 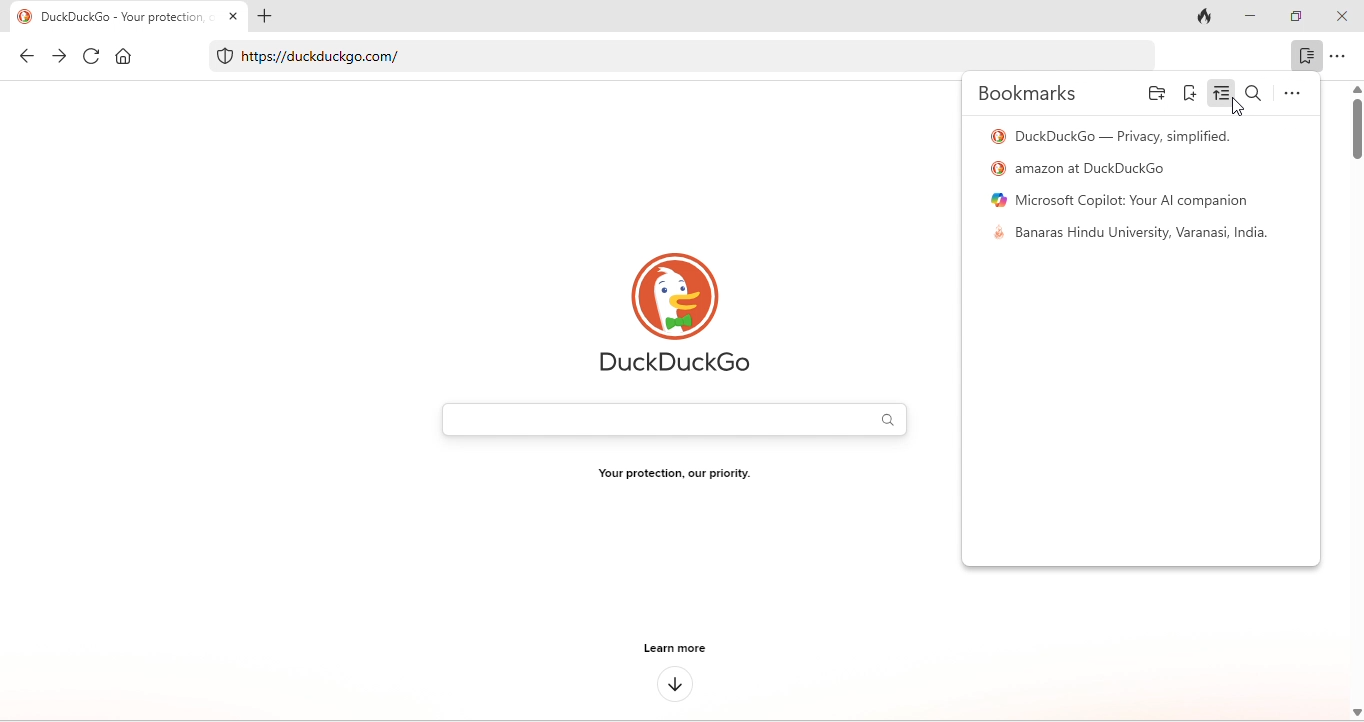 What do you see at coordinates (1257, 92) in the screenshot?
I see `search` at bounding box center [1257, 92].